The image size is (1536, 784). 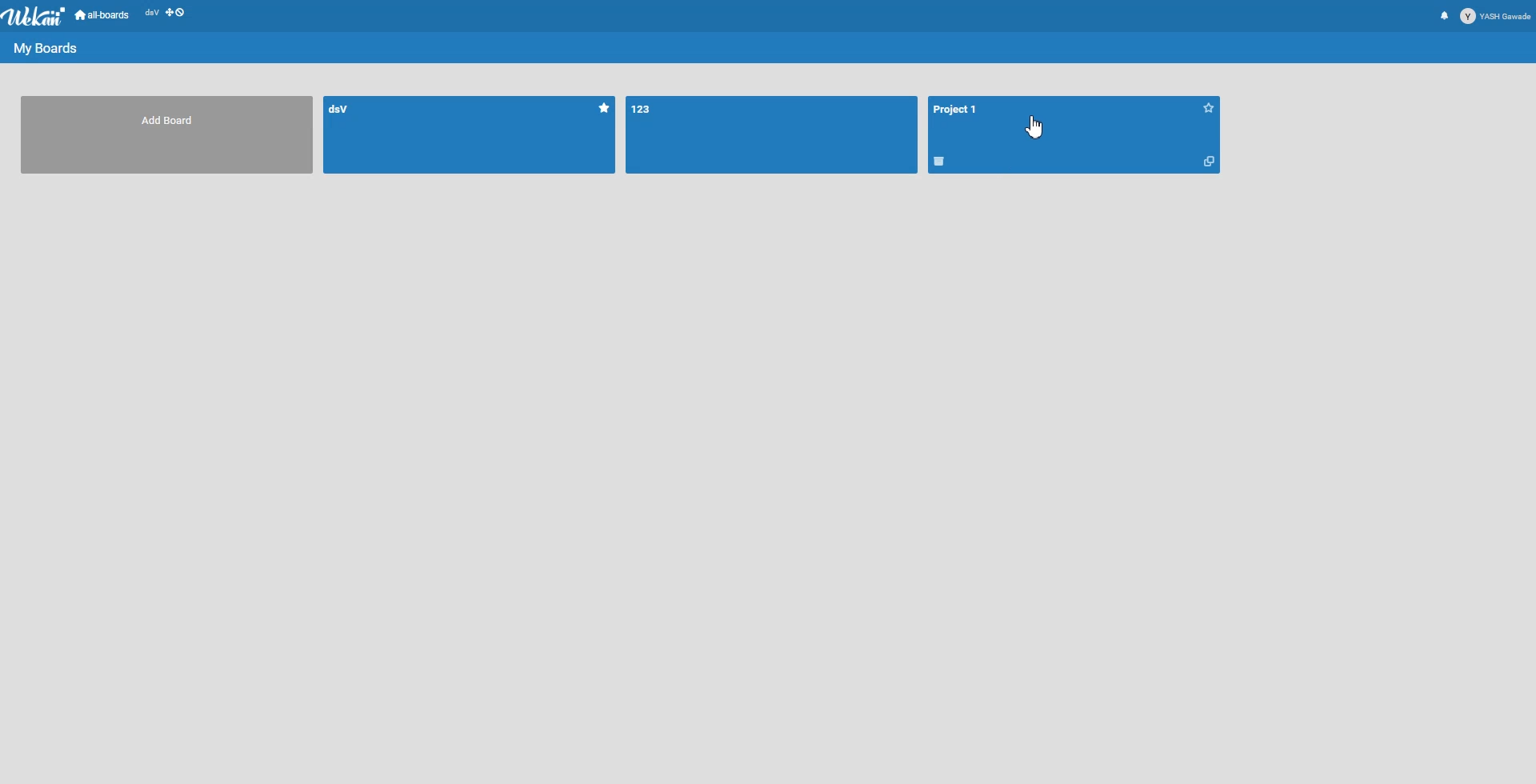 I want to click on Add Board, so click(x=173, y=122).